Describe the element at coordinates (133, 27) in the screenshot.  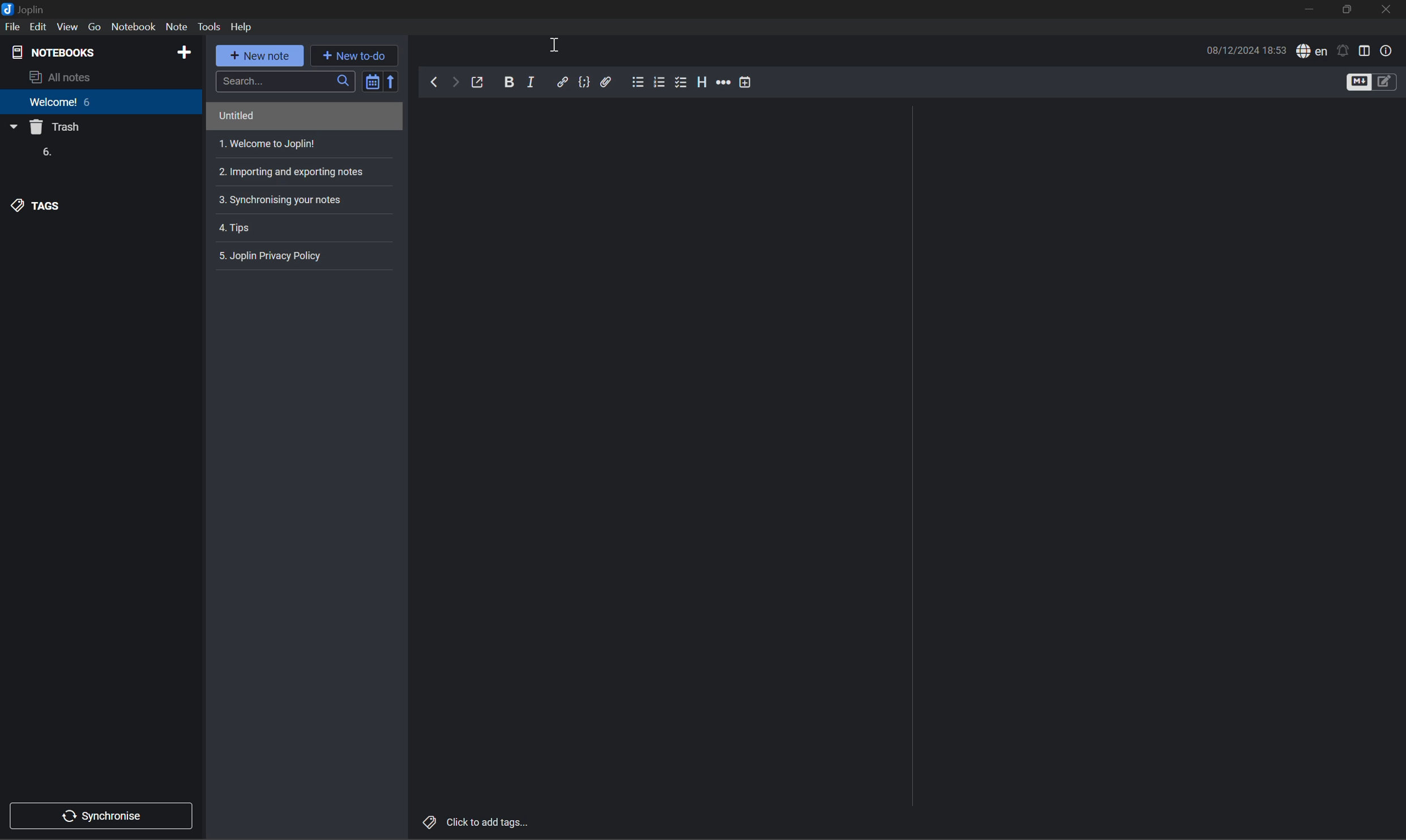
I see `Notebook` at that location.